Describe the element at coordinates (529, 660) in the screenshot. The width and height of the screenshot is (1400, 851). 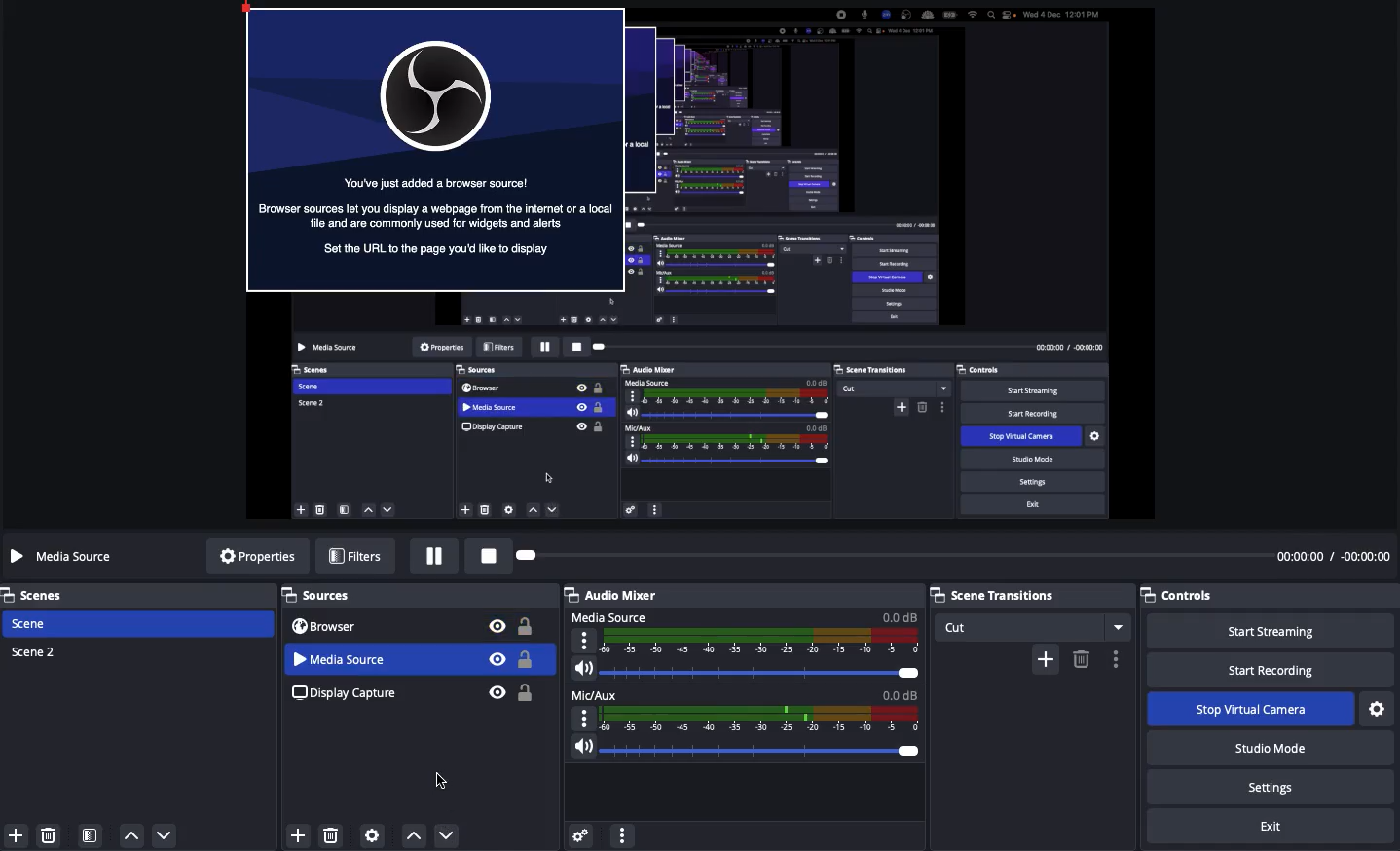
I see `Unlock` at that location.